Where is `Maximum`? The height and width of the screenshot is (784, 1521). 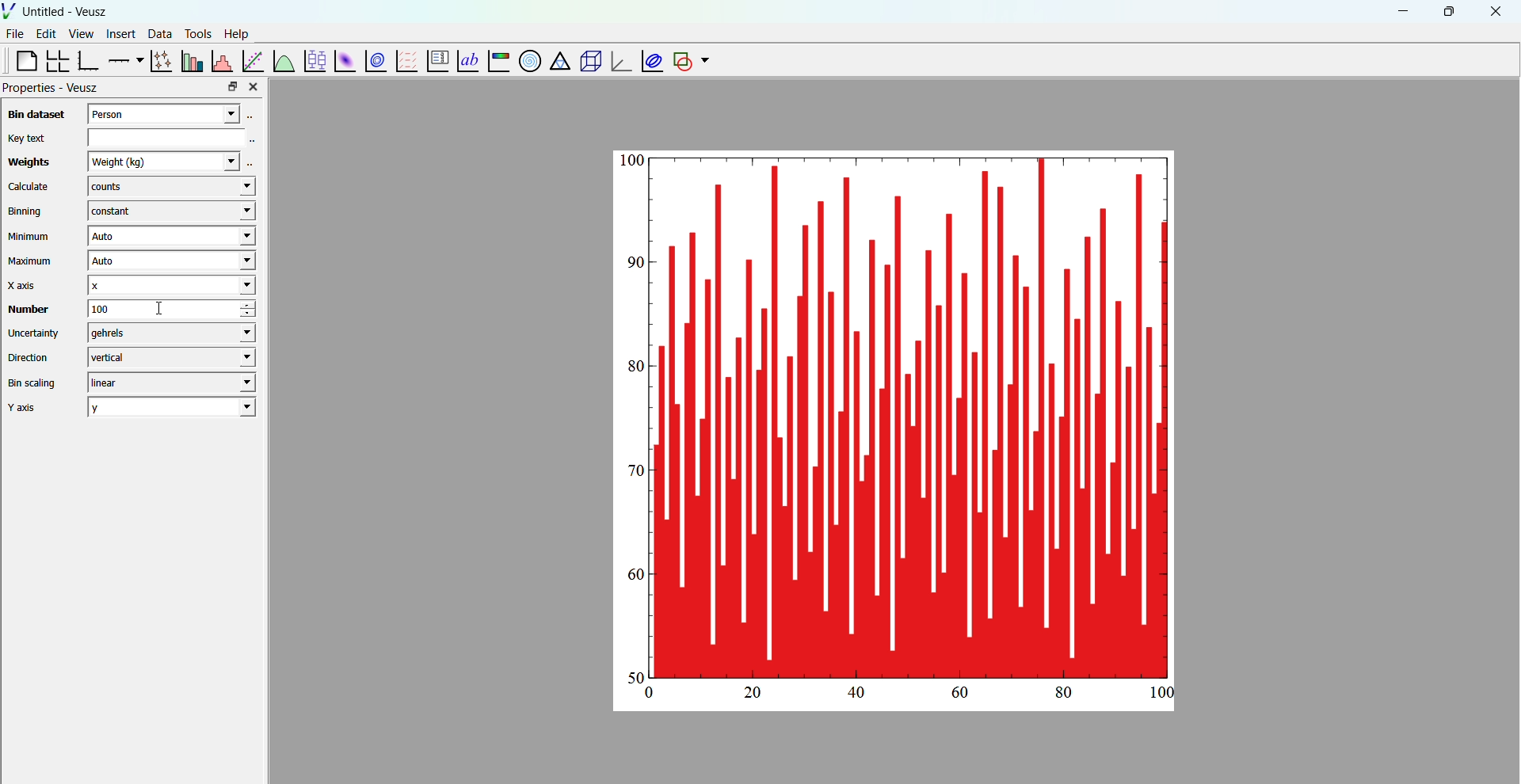
Maximum is located at coordinates (32, 261).